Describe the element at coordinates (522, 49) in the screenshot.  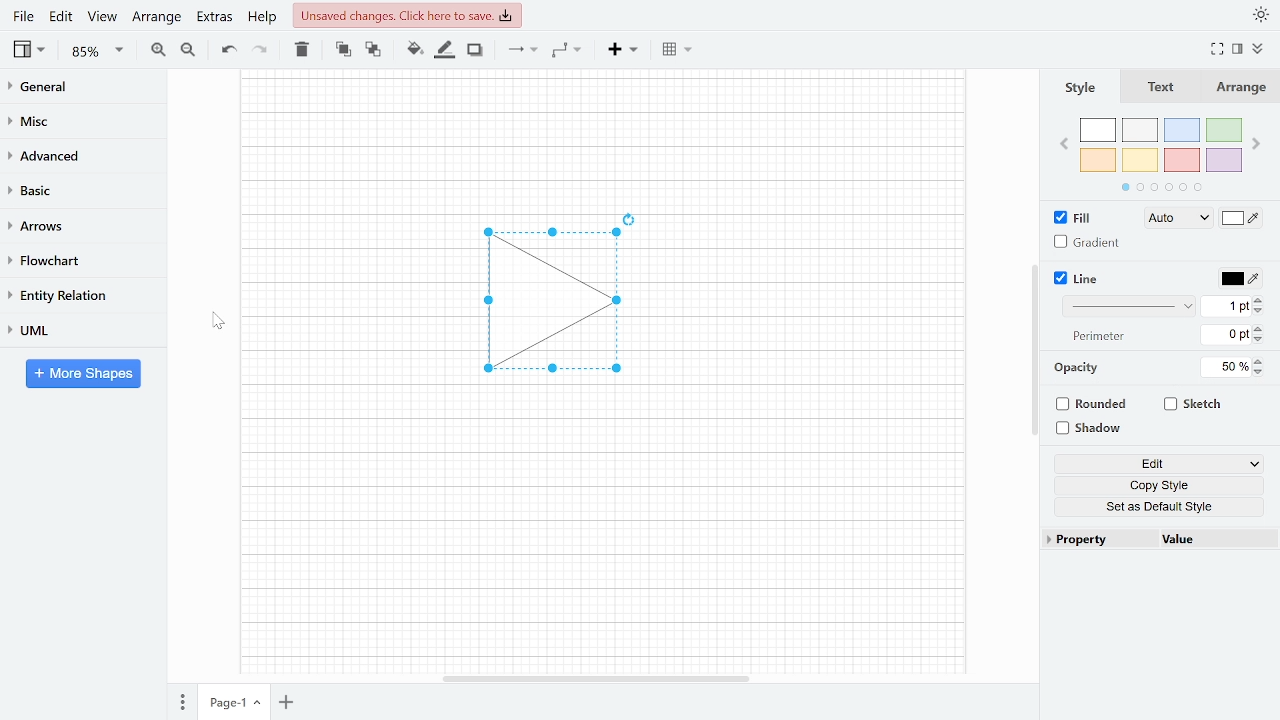
I see `Connection` at that location.